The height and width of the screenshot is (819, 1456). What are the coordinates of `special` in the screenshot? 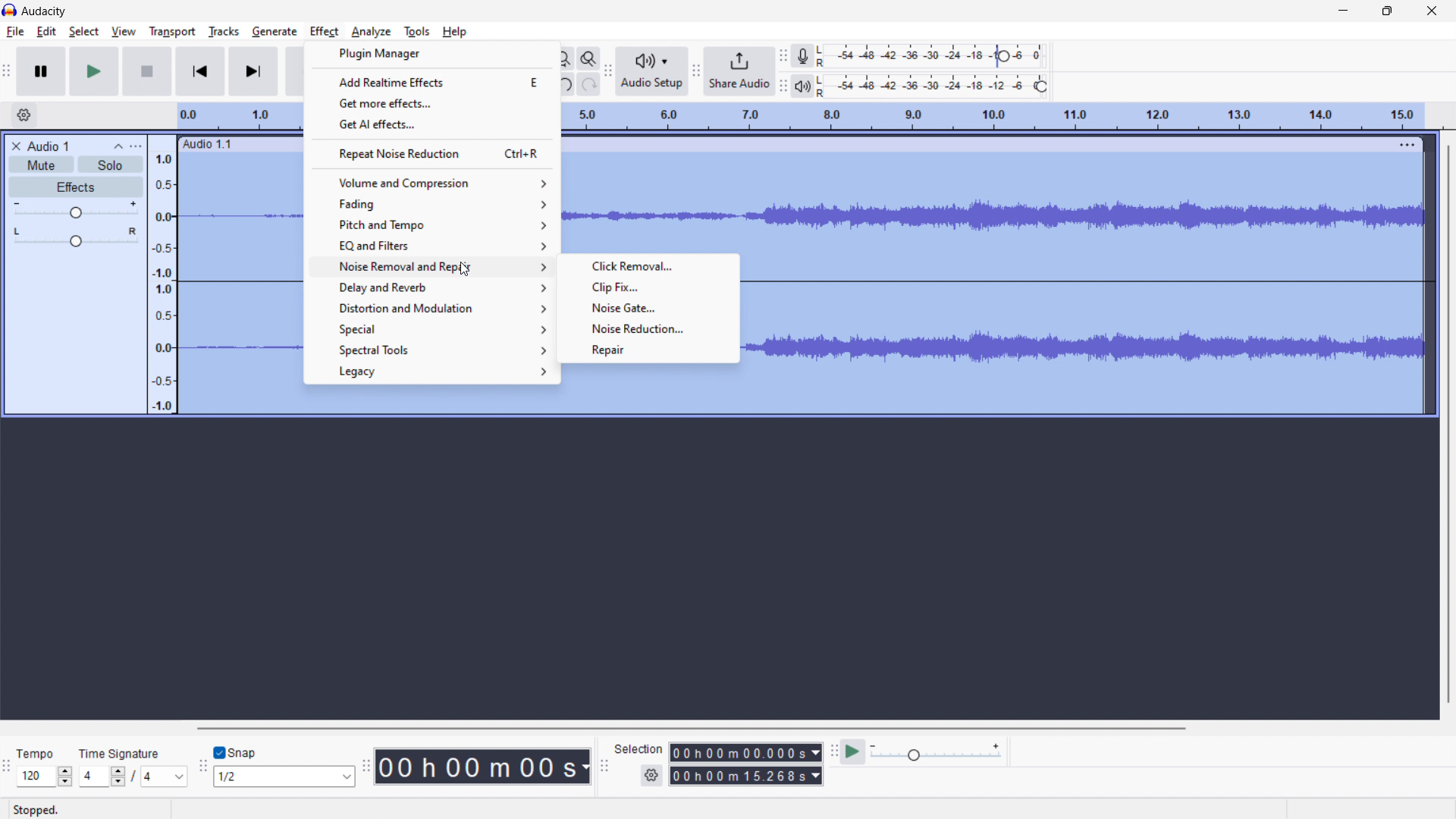 It's located at (428, 328).